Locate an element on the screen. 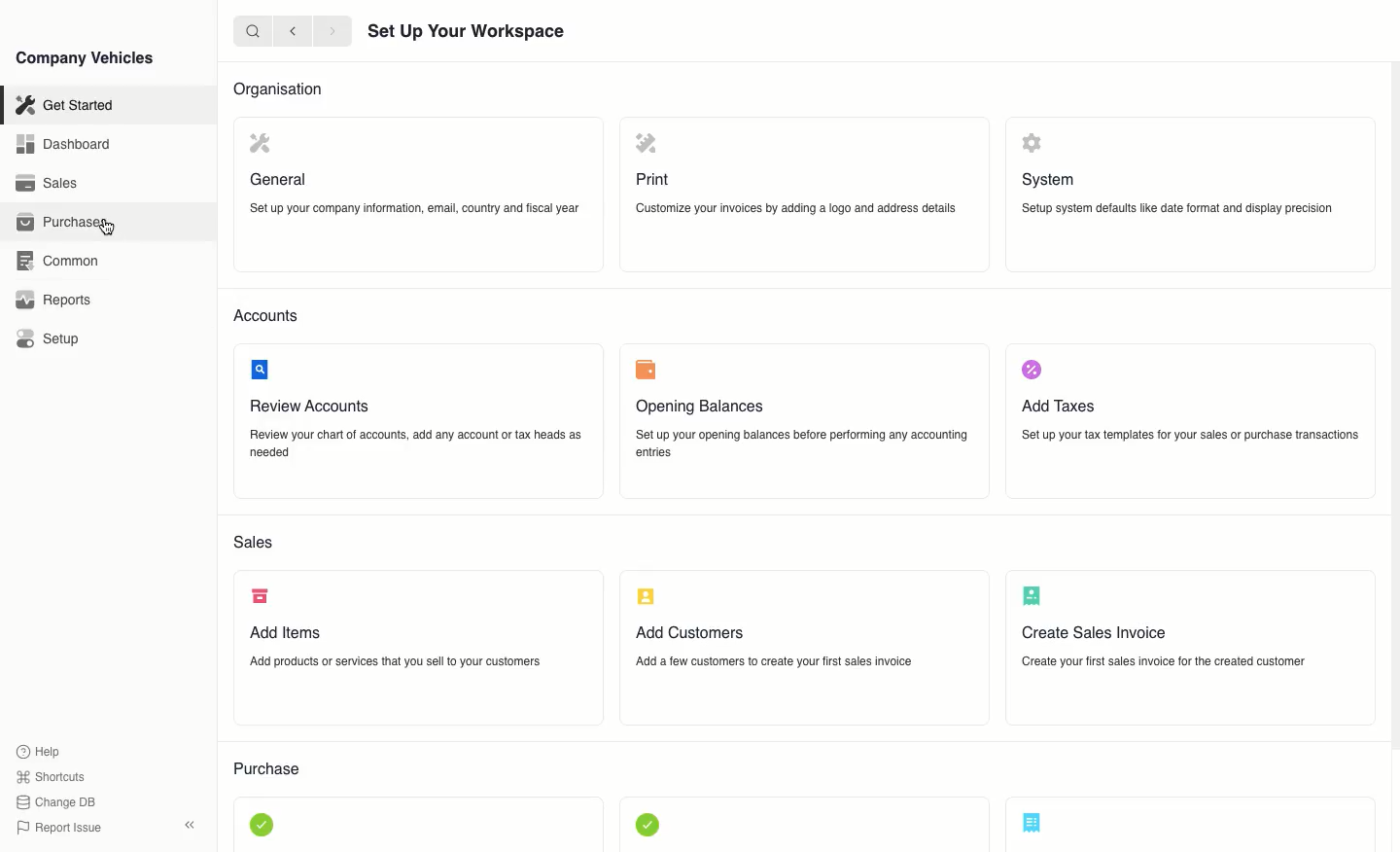  Shortcuts is located at coordinates (52, 778).